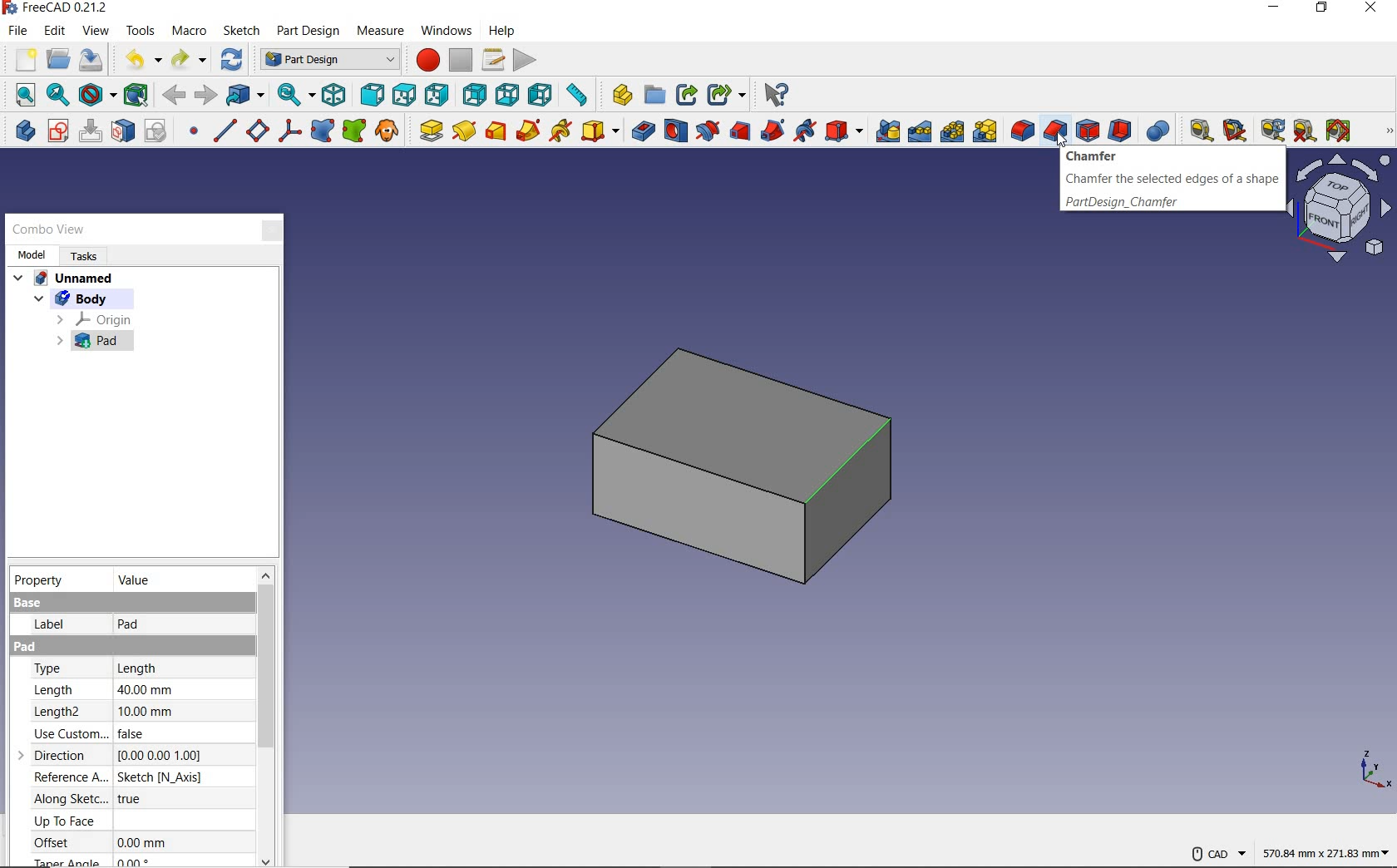  What do you see at coordinates (91, 60) in the screenshot?
I see `save` at bounding box center [91, 60].